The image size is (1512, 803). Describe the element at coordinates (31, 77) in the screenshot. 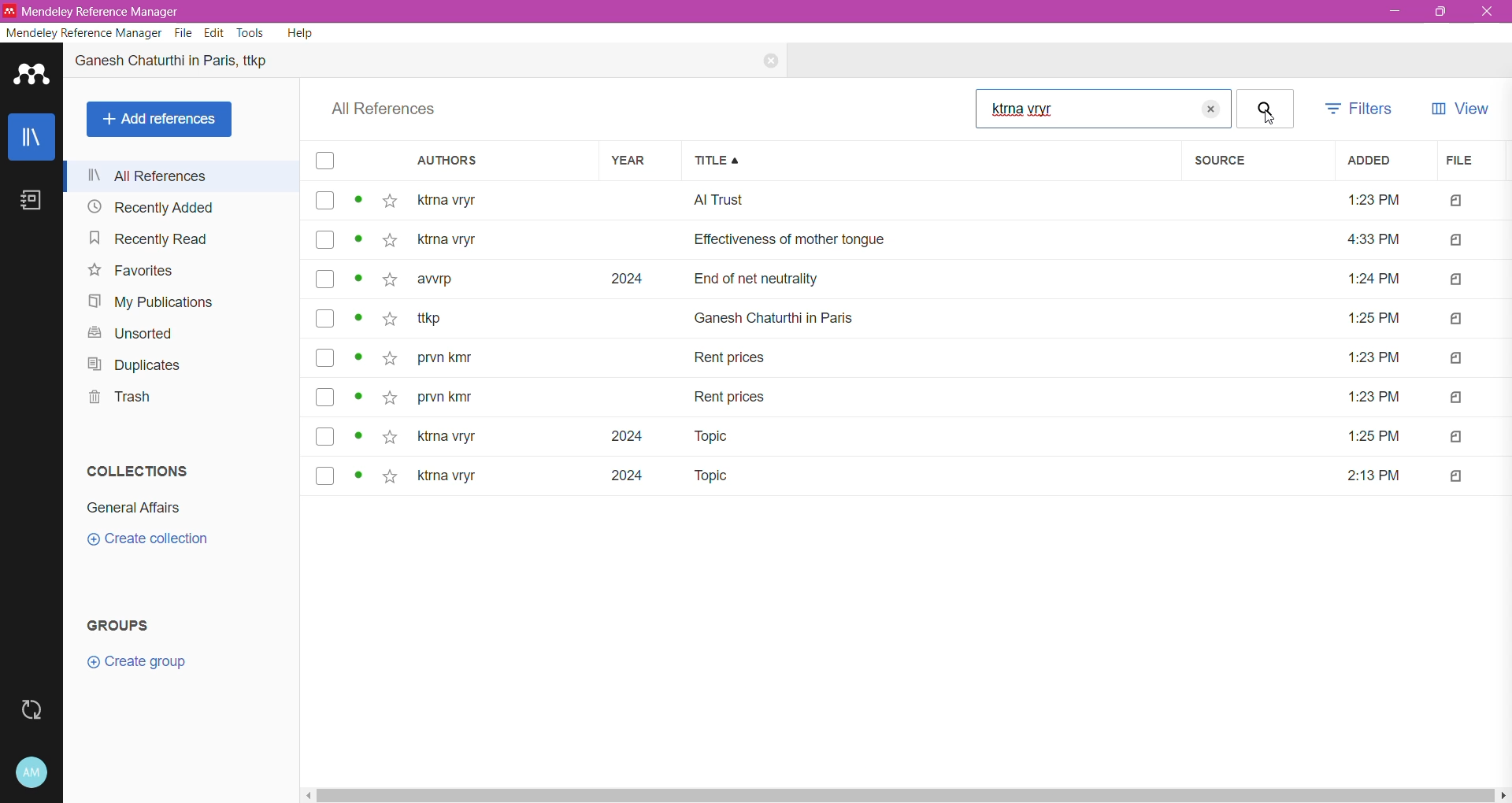

I see `Application Logo` at that location.